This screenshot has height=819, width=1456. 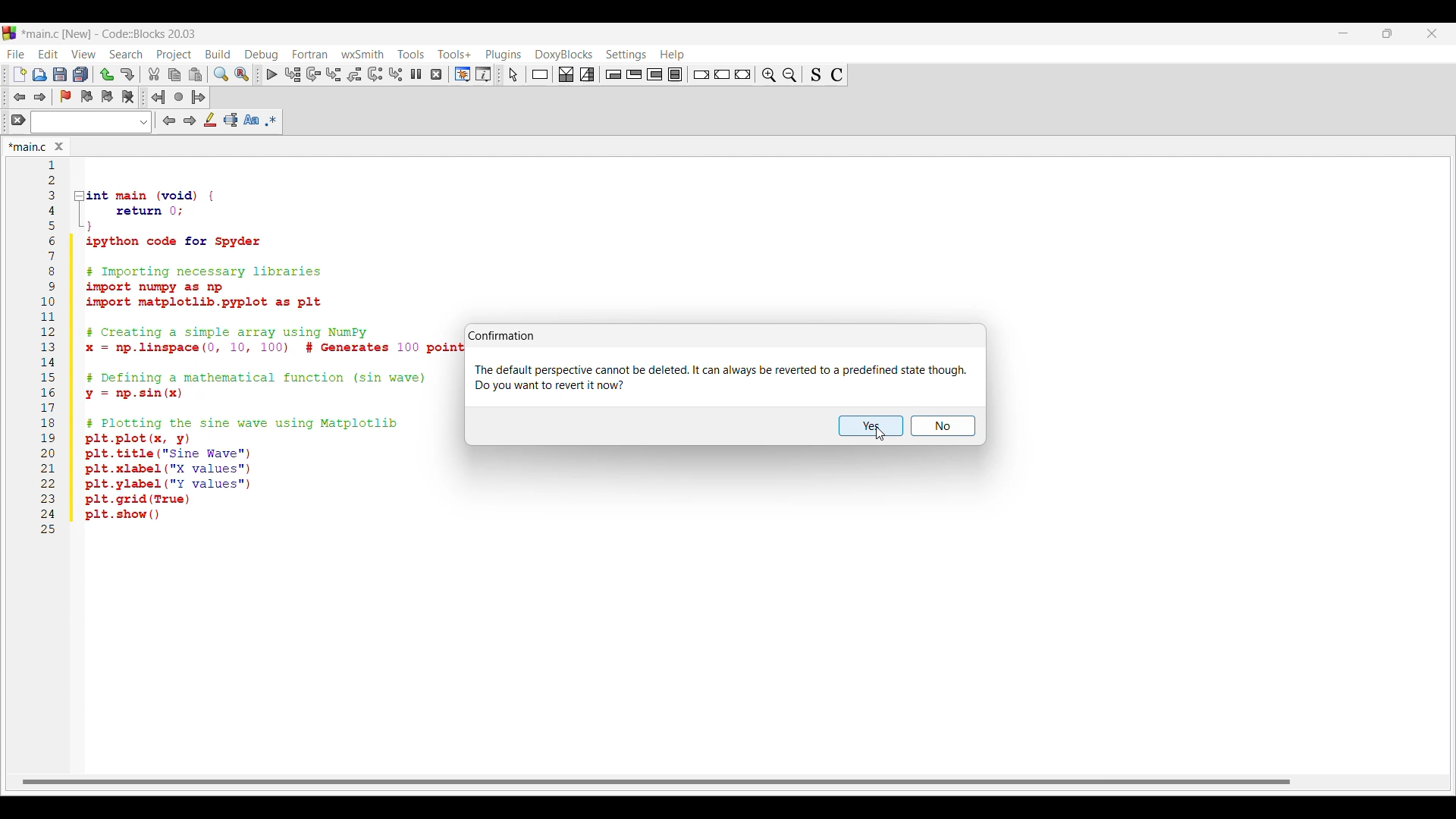 What do you see at coordinates (113, 33) in the screenshot?
I see `Project name, software name and version` at bounding box center [113, 33].